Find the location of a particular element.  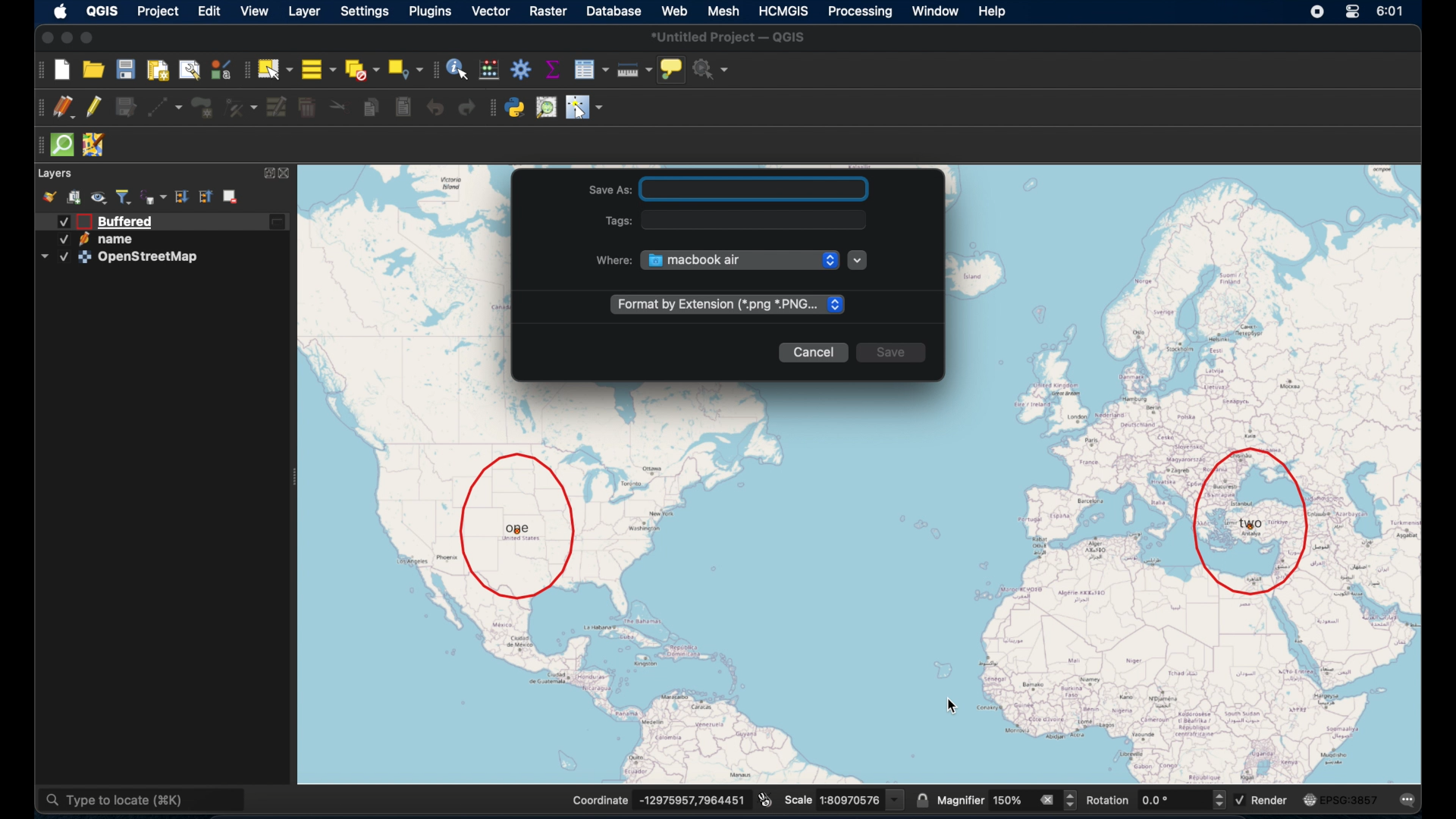

drag handle is located at coordinates (37, 145).